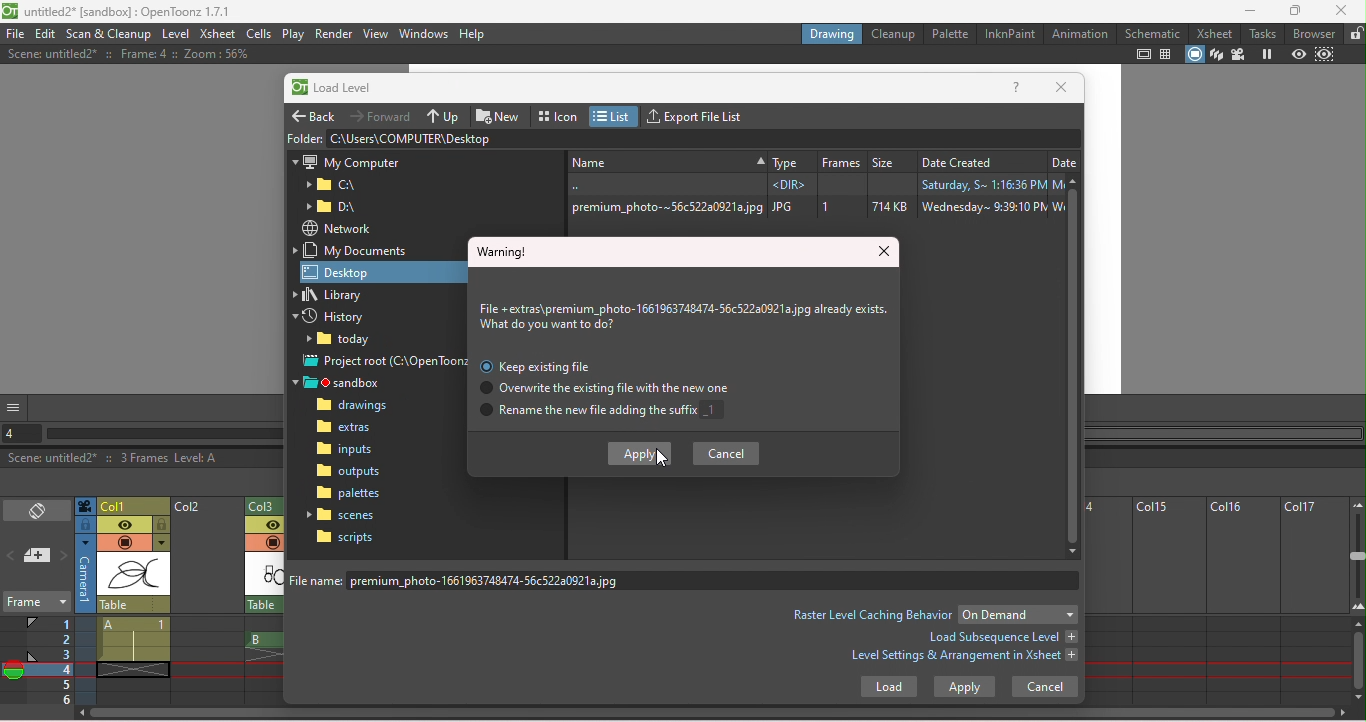 Image resolution: width=1366 pixels, height=722 pixels. Describe the element at coordinates (336, 228) in the screenshot. I see `Network` at that location.